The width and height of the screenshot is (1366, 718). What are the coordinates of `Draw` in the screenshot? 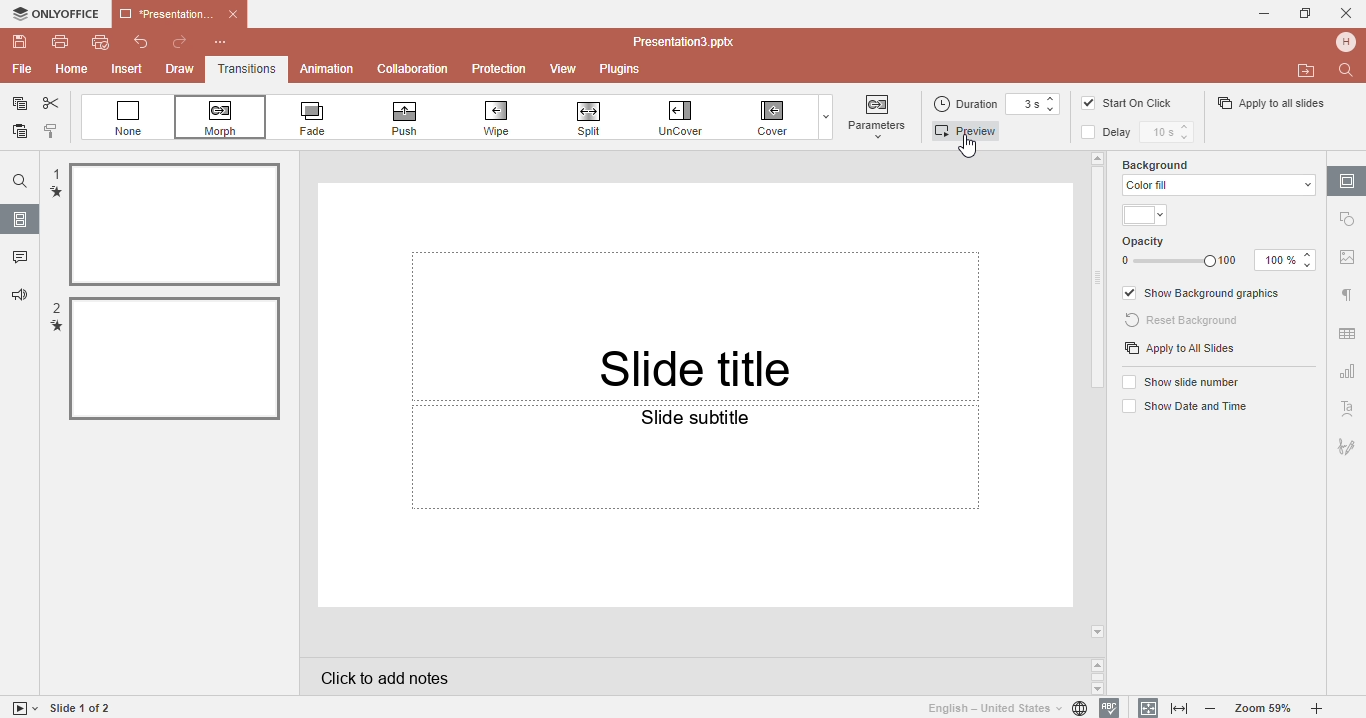 It's located at (178, 70).